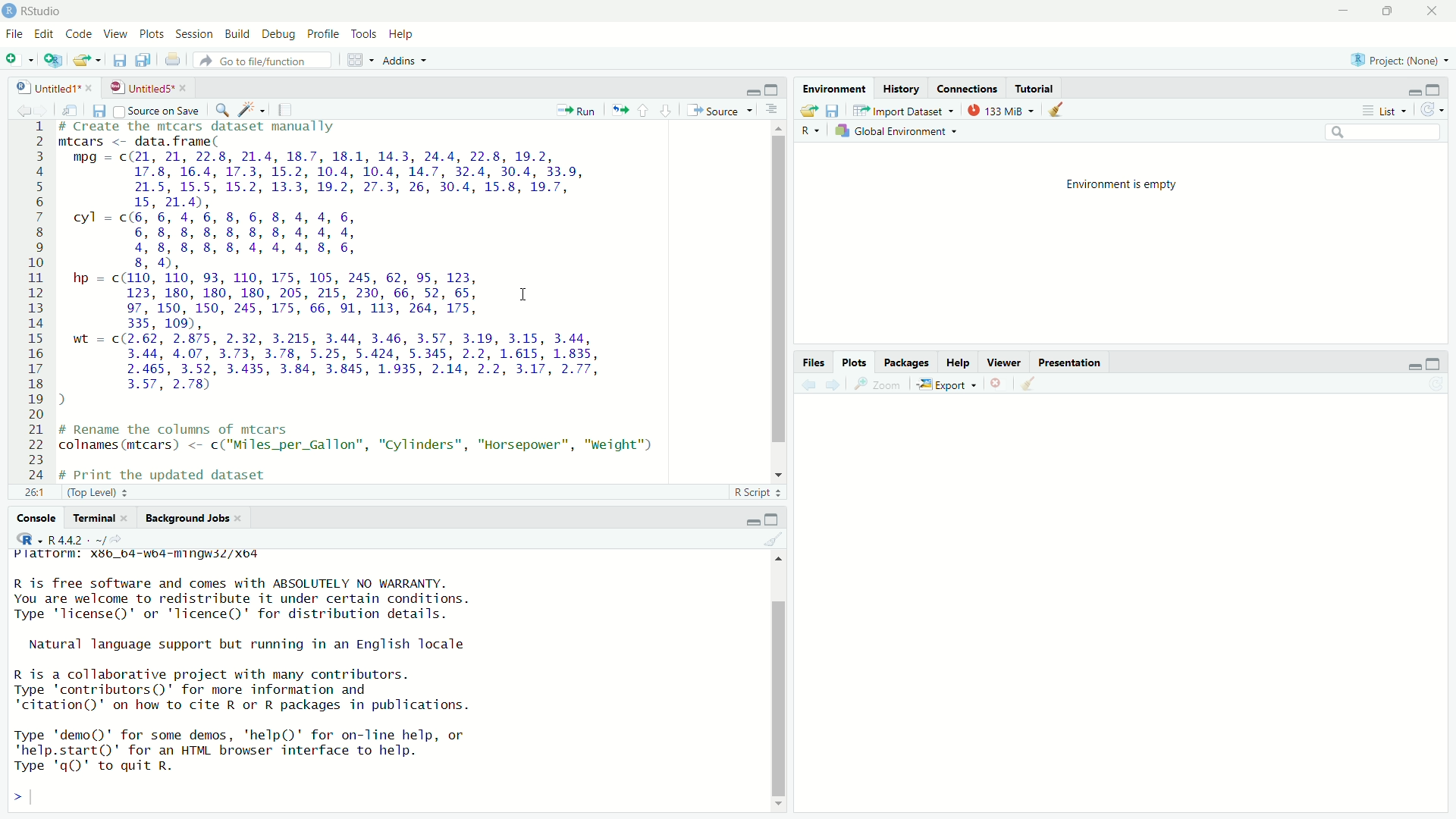 The height and width of the screenshot is (819, 1456). I want to click on maximise, so click(775, 518).